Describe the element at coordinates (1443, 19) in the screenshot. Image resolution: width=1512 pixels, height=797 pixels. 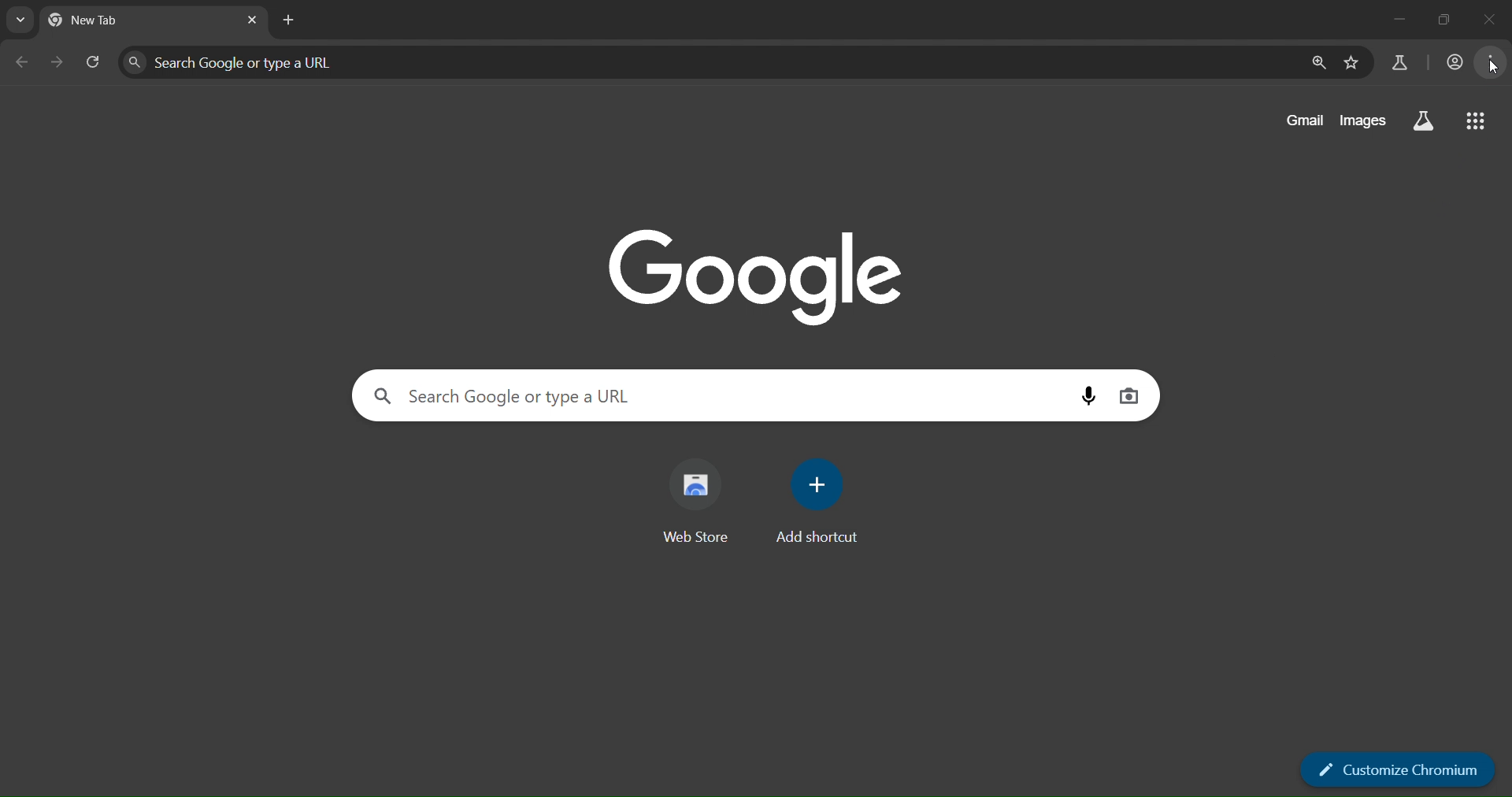
I see `restore down` at that location.